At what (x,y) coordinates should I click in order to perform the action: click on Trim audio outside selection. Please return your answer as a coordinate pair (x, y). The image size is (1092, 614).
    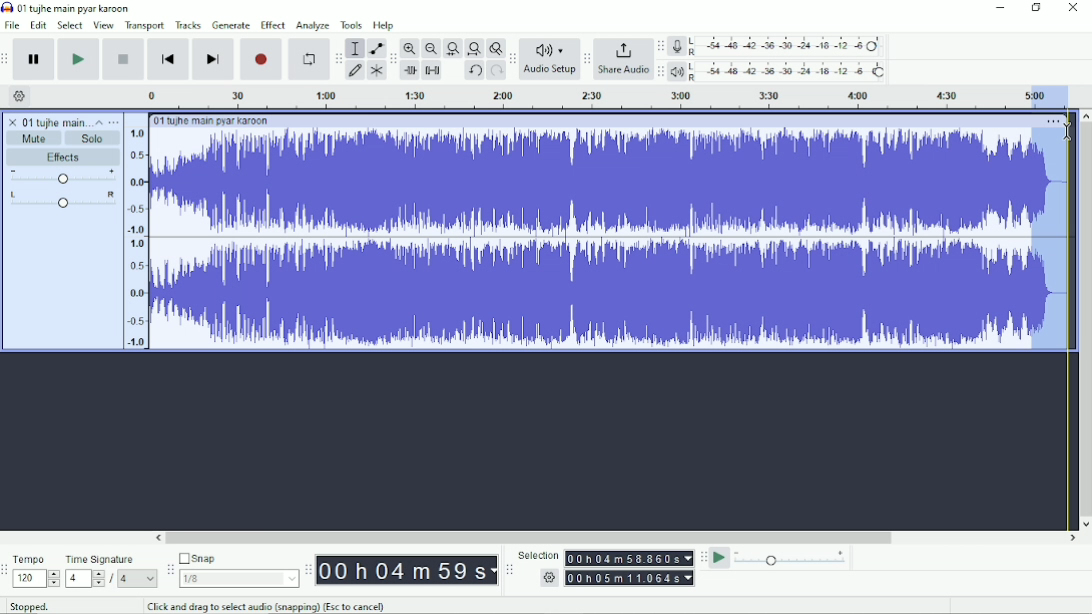
    Looking at the image, I should click on (410, 71).